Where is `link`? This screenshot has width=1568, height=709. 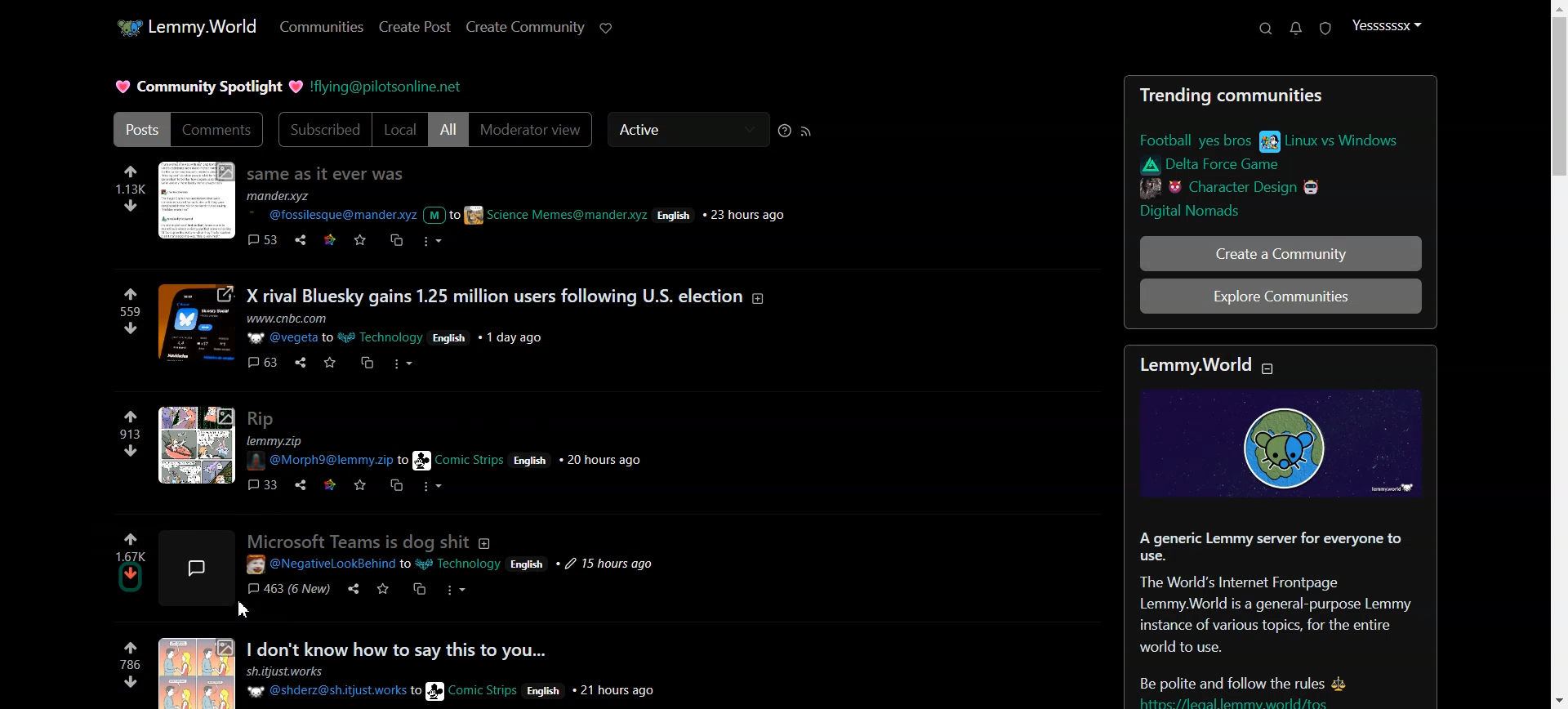
link is located at coordinates (1223, 165).